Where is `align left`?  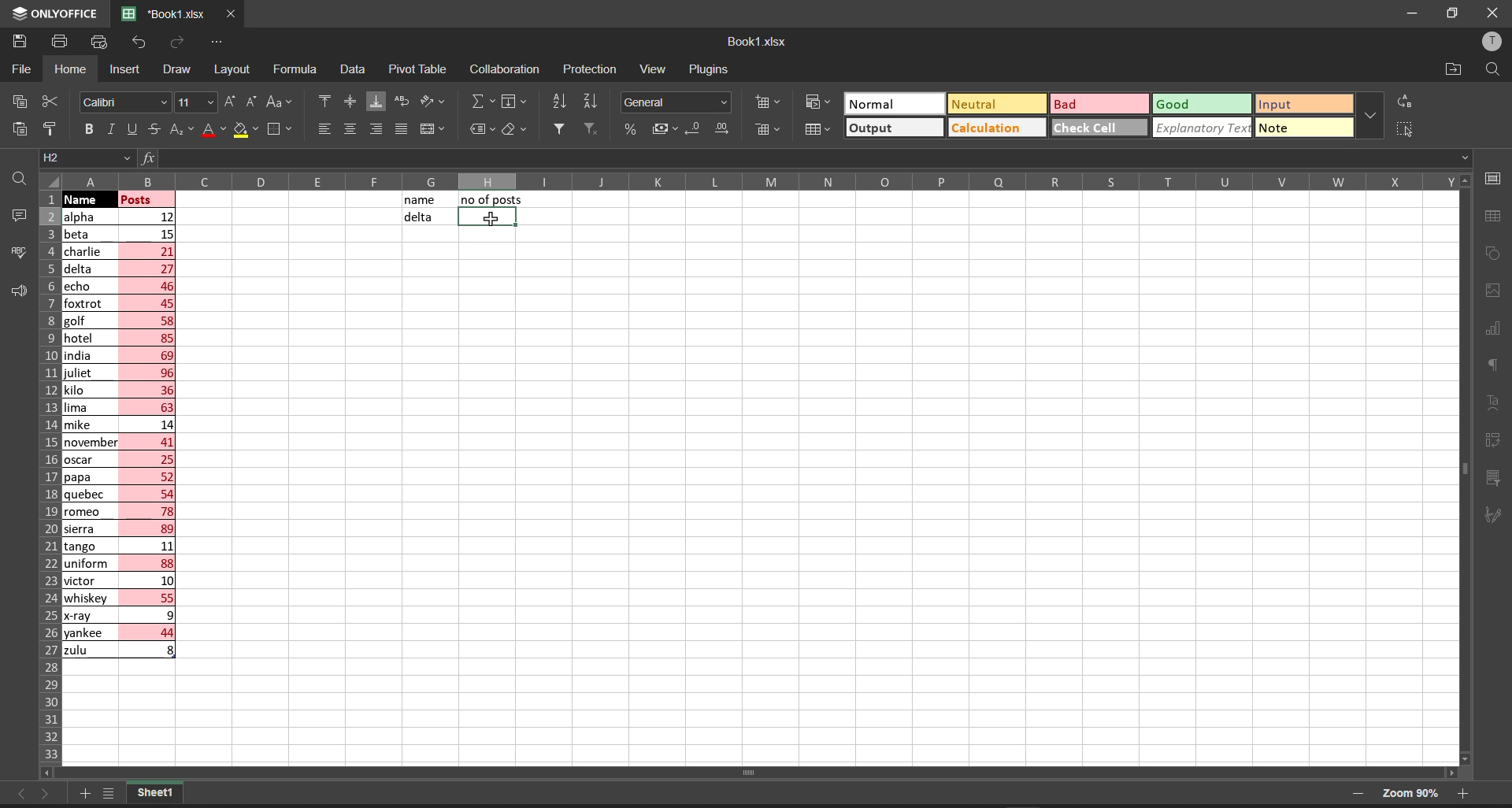 align left is located at coordinates (323, 130).